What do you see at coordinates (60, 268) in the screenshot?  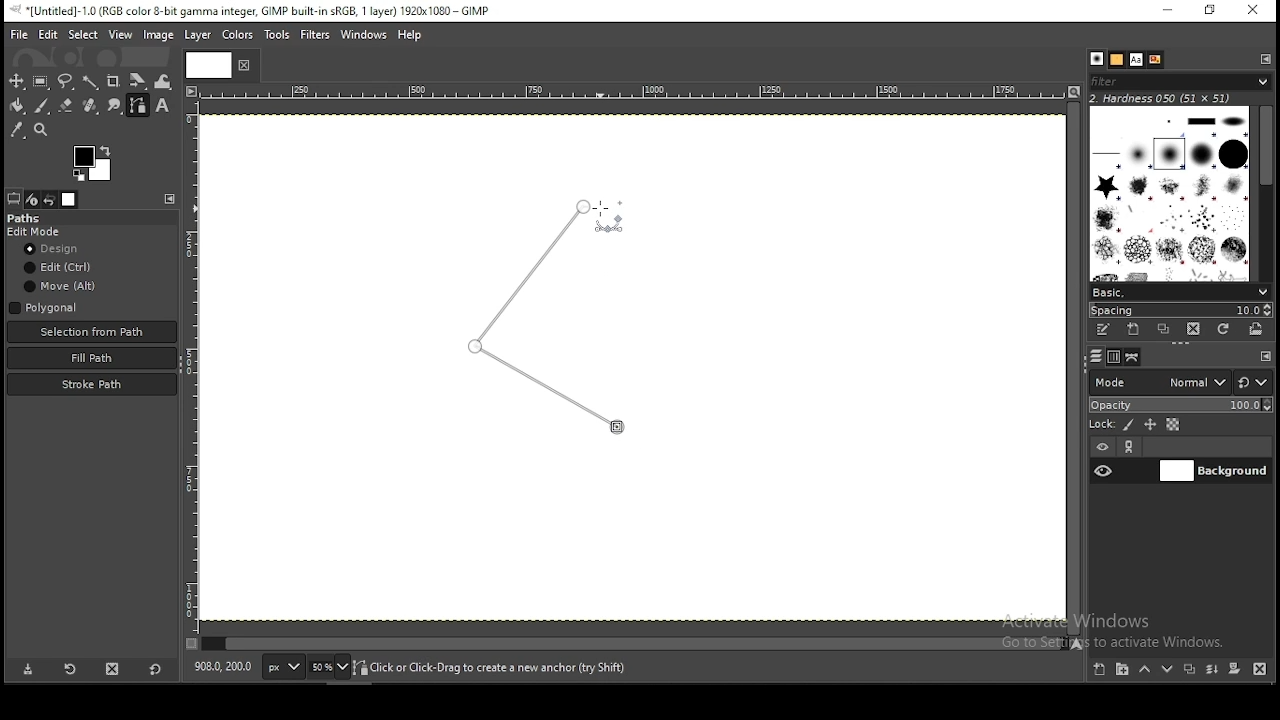 I see `edit` at bounding box center [60, 268].